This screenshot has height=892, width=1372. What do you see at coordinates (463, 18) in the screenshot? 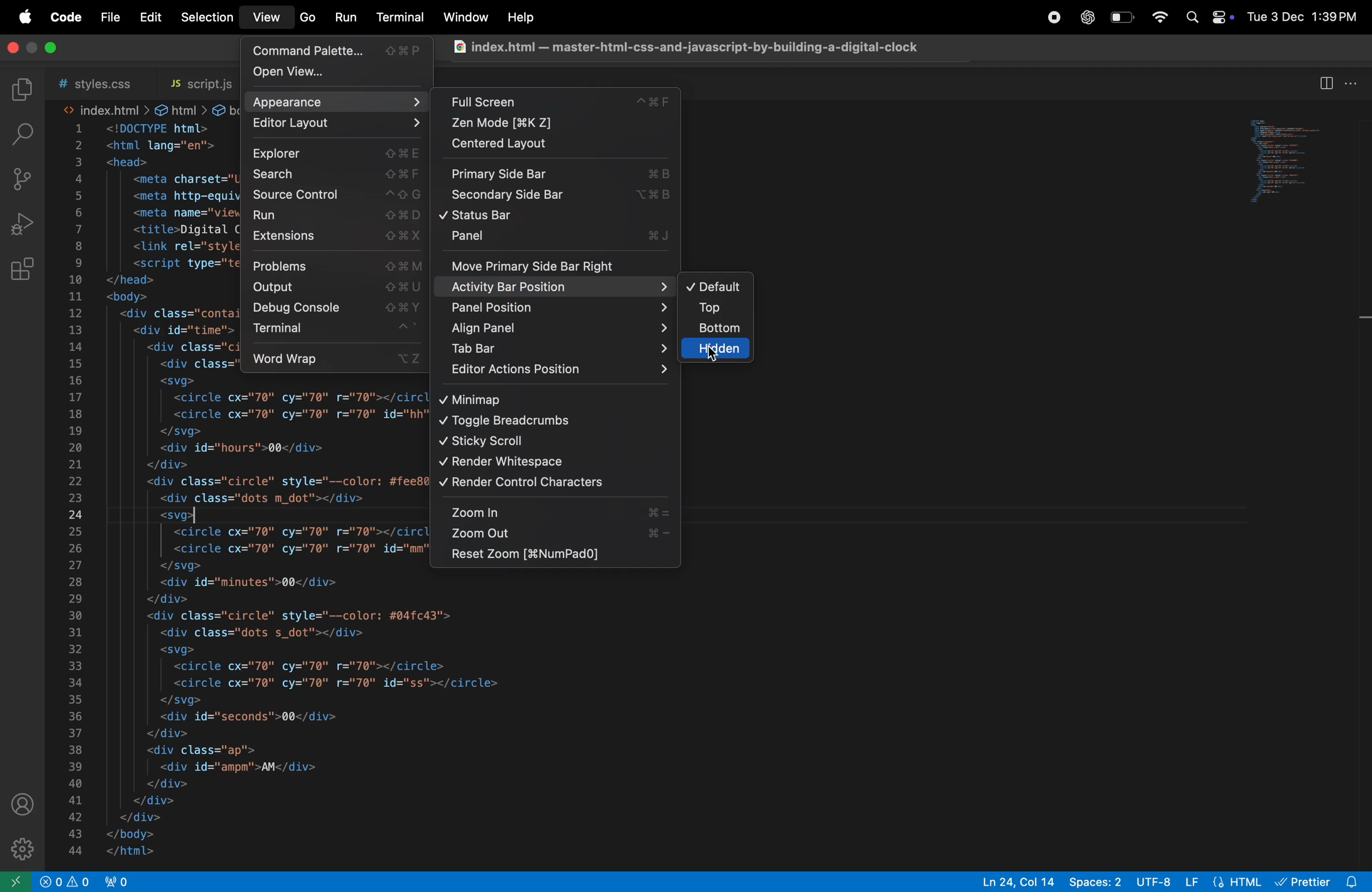
I see `window` at bounding box center [463, 18].